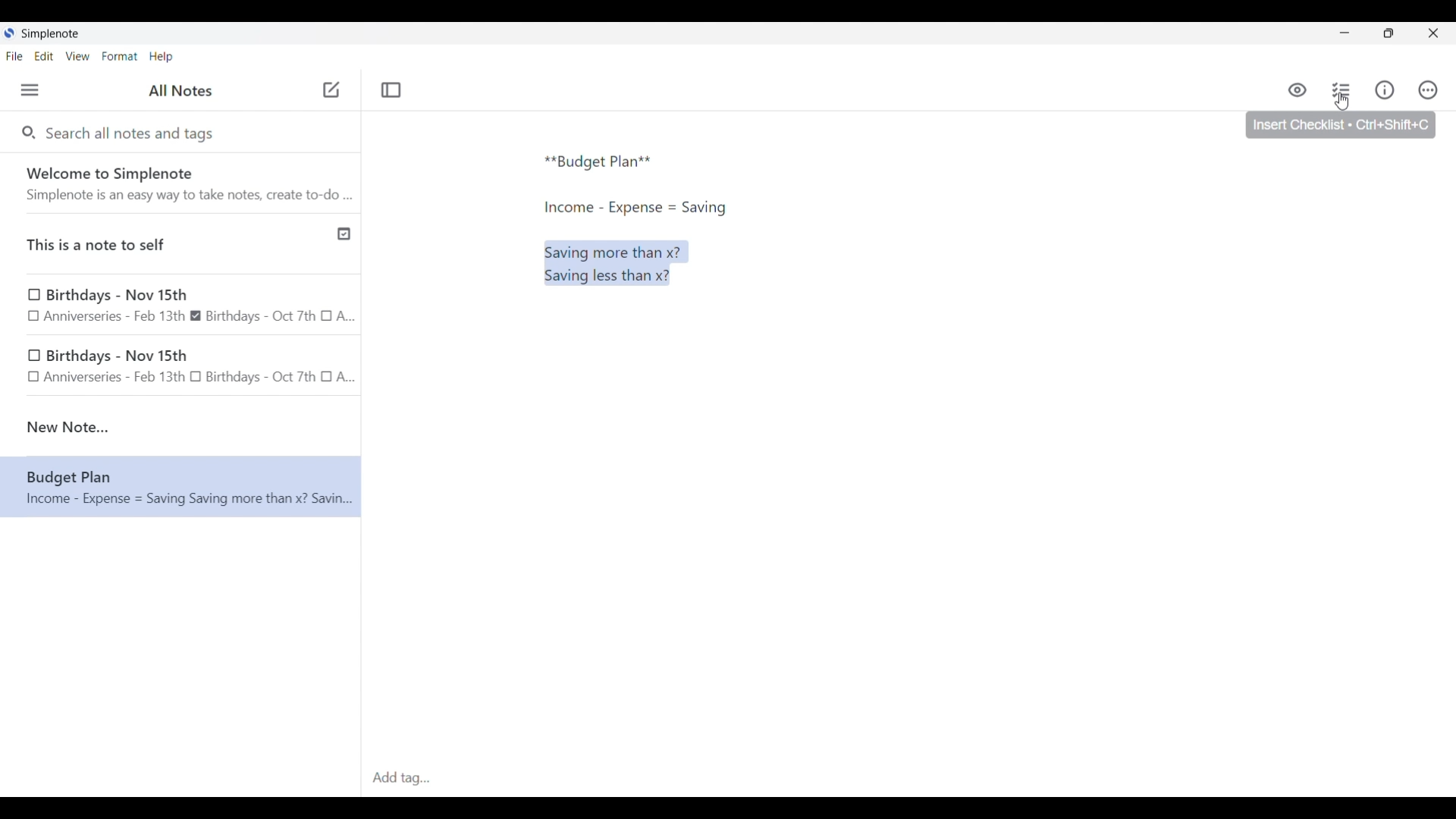  Describe the element at coordinates (1298, 90) in the screenshot. I see `Toggle to see markdown preview` at that location.